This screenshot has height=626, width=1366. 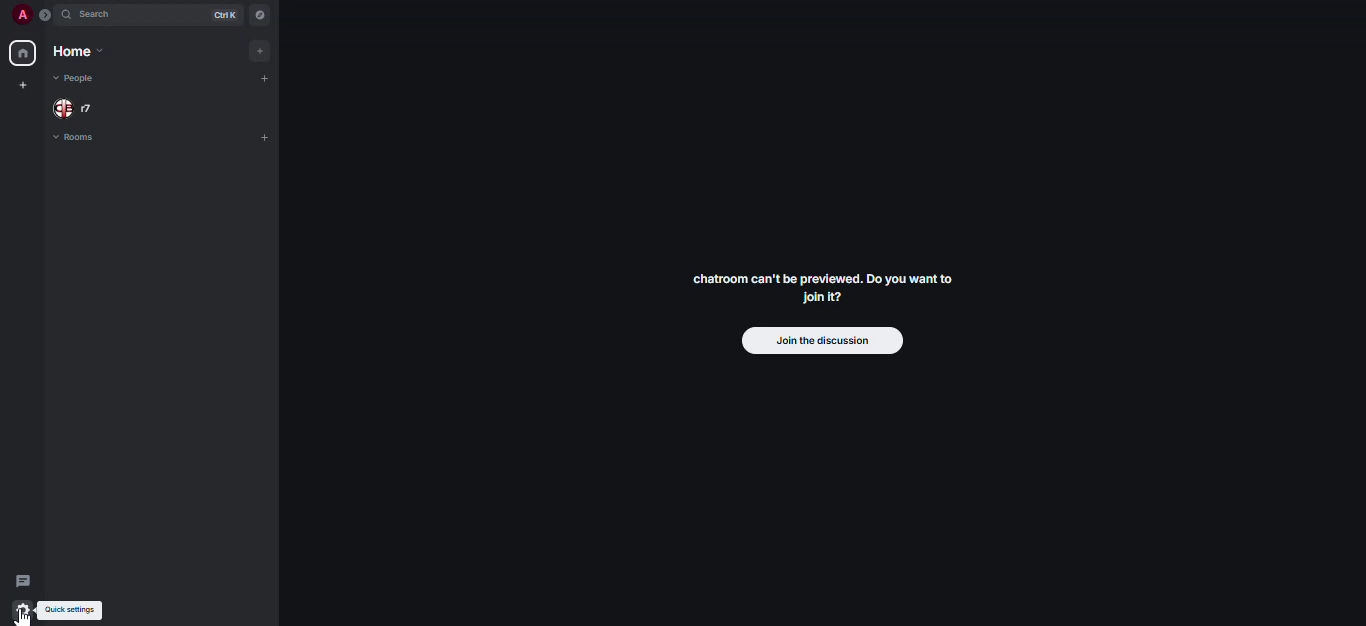 What do you see at coordinates (21, 13) in the screenshot?
I see `profile` at bounding box center [21, 13].